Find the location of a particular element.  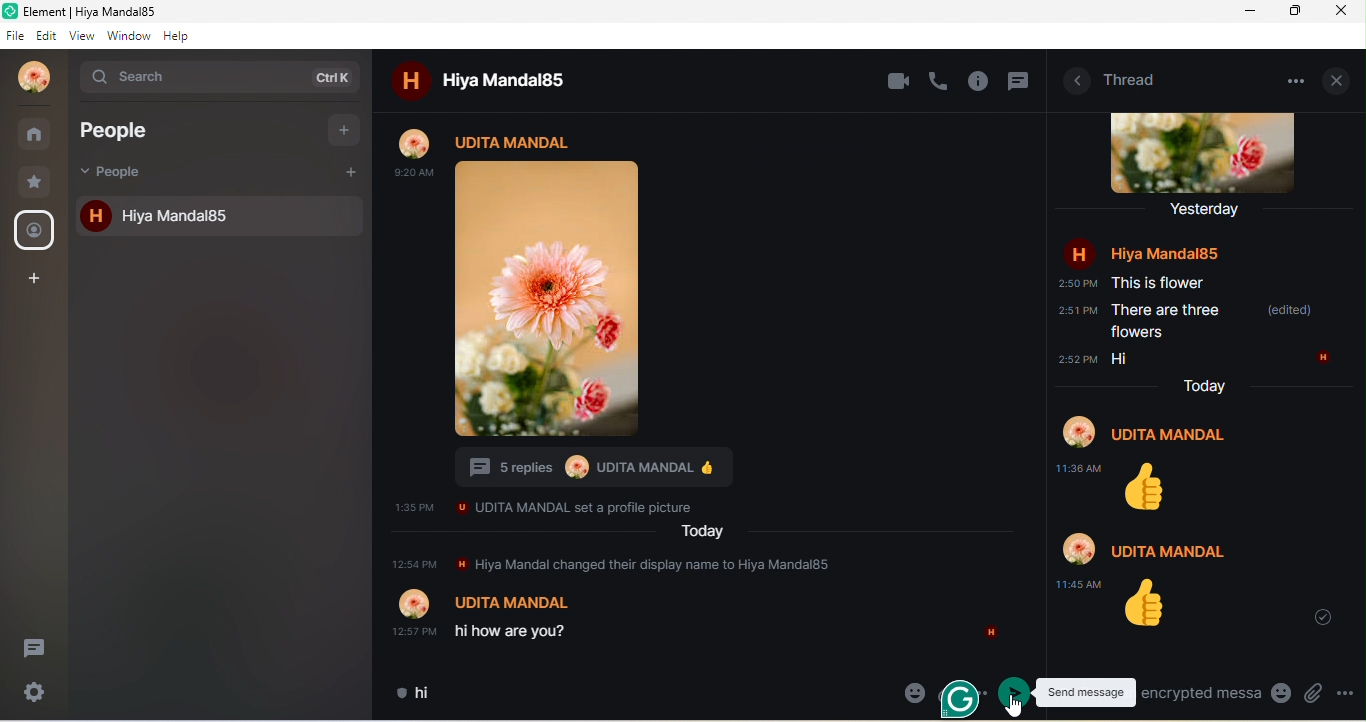

add is located at coordinates (345, 130).